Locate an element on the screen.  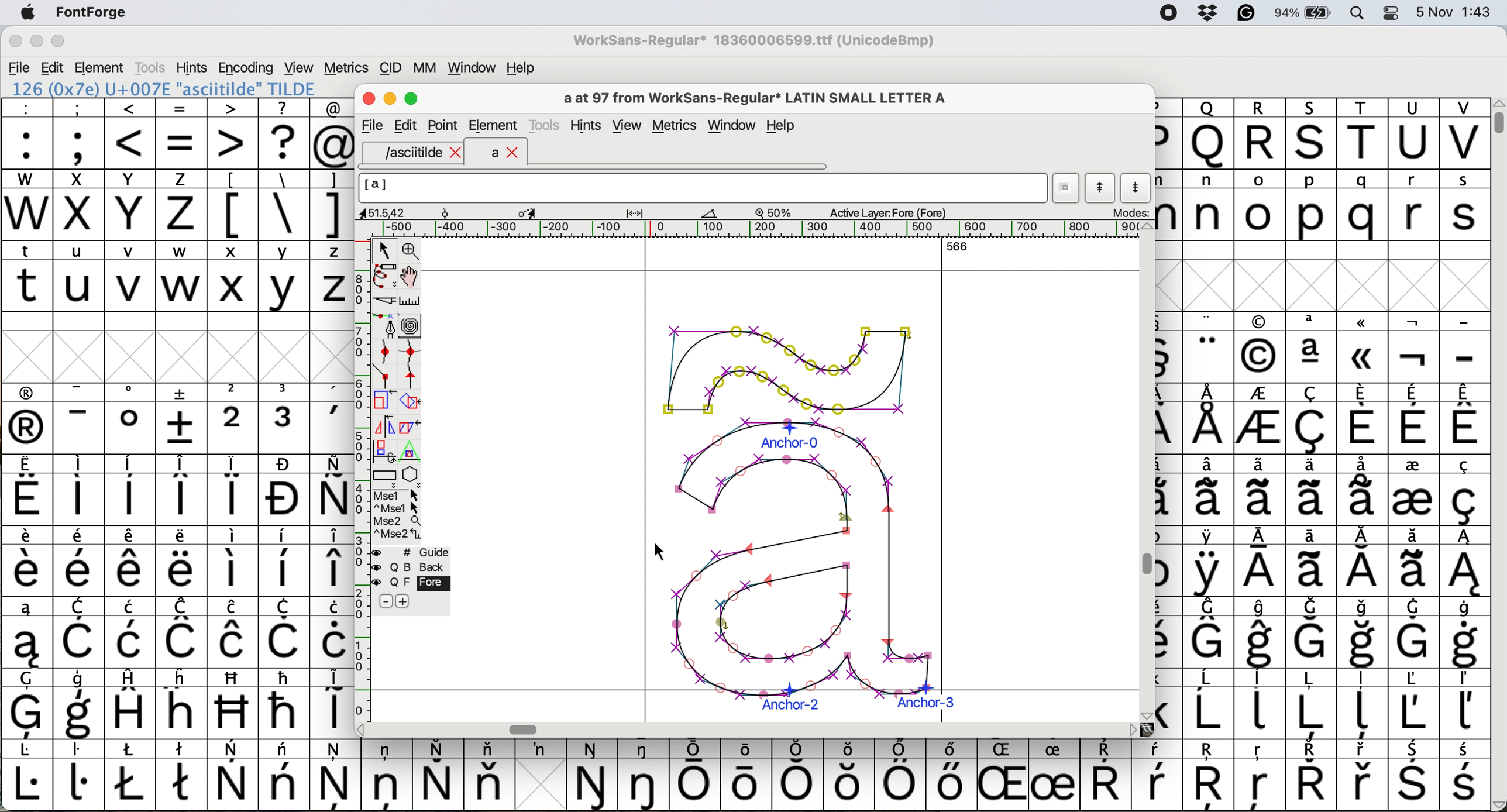
symbol is located at coordinates (540, 749).